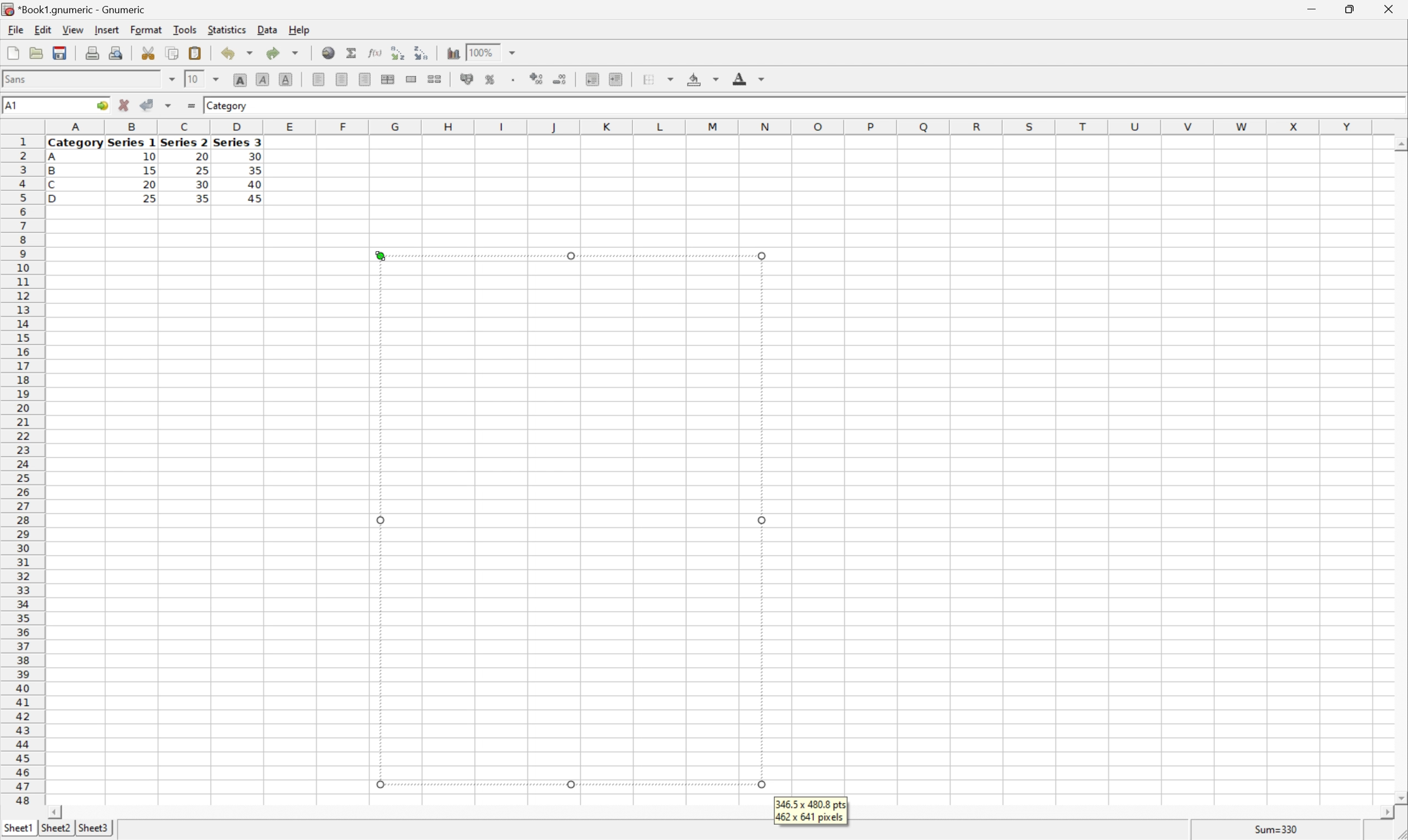 This screenshot has width=1408, height=840. What do you see at coordinates (397, 53) in the screenshot?
I see `Sort the selected region in ascending order based on the first column selected` at bounding box center [397, 53].